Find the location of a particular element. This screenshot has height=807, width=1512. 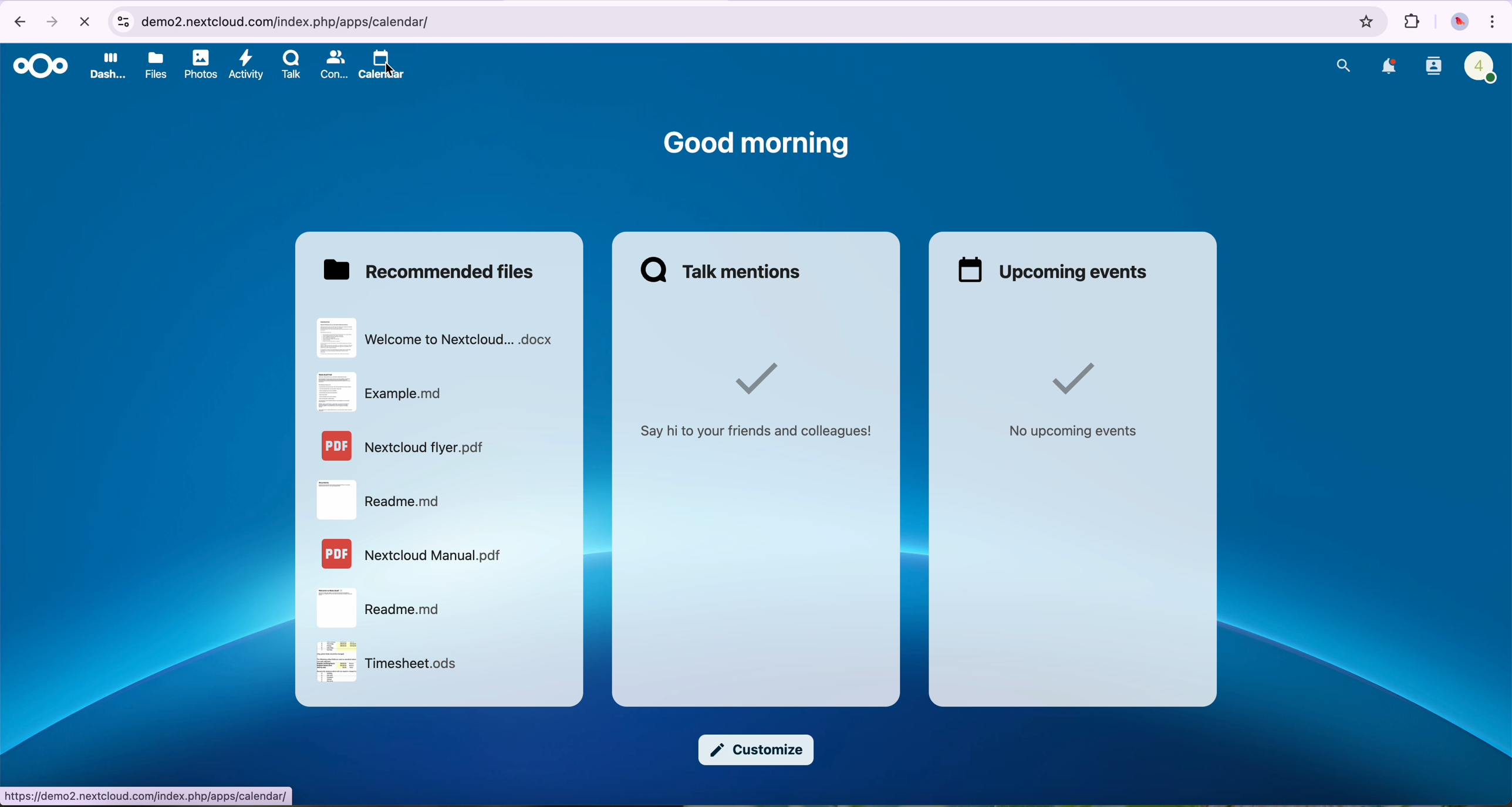

contacts is located at coordinates (330, 65).